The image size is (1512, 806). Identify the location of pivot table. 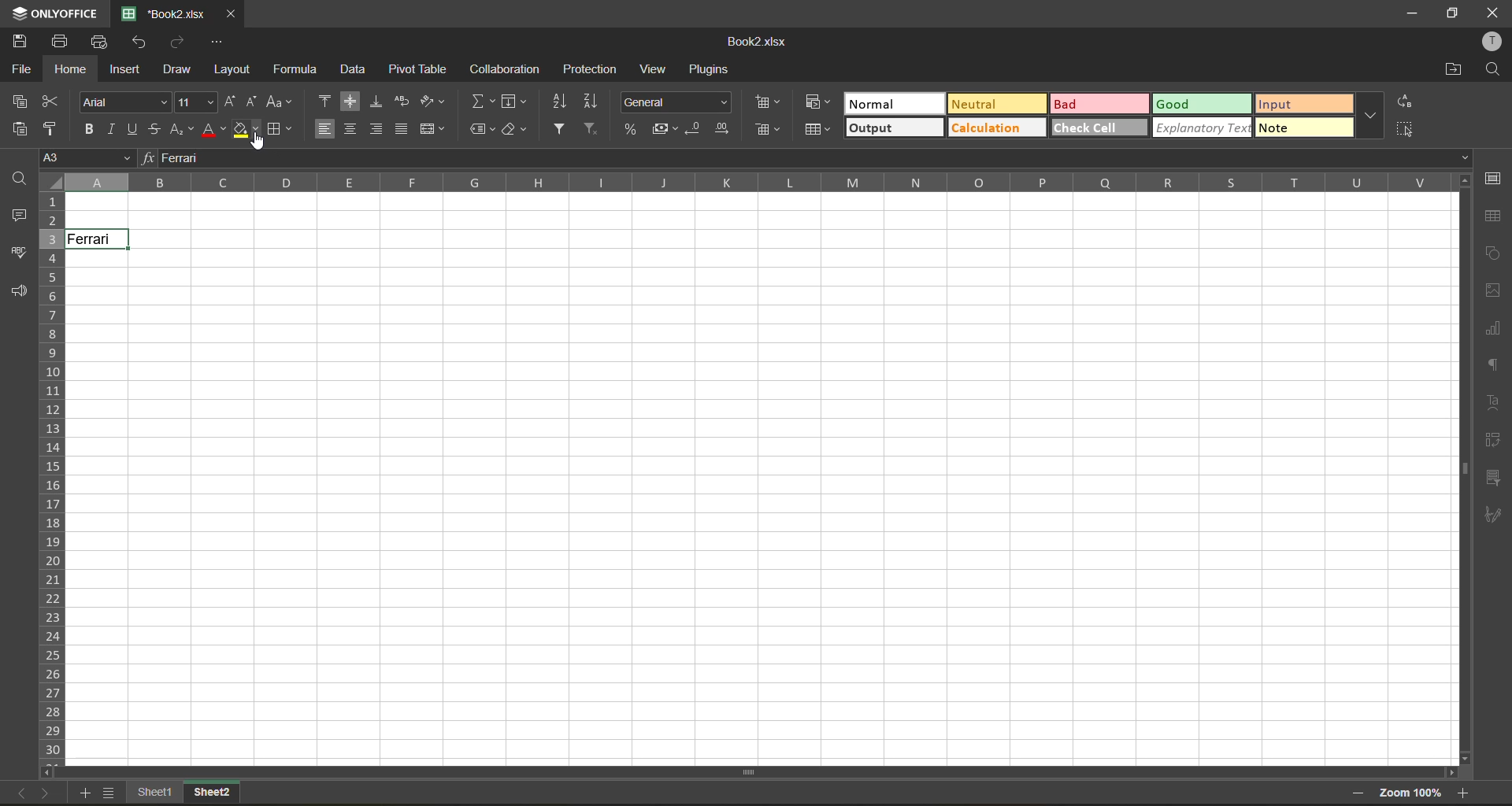
(1495, 442).